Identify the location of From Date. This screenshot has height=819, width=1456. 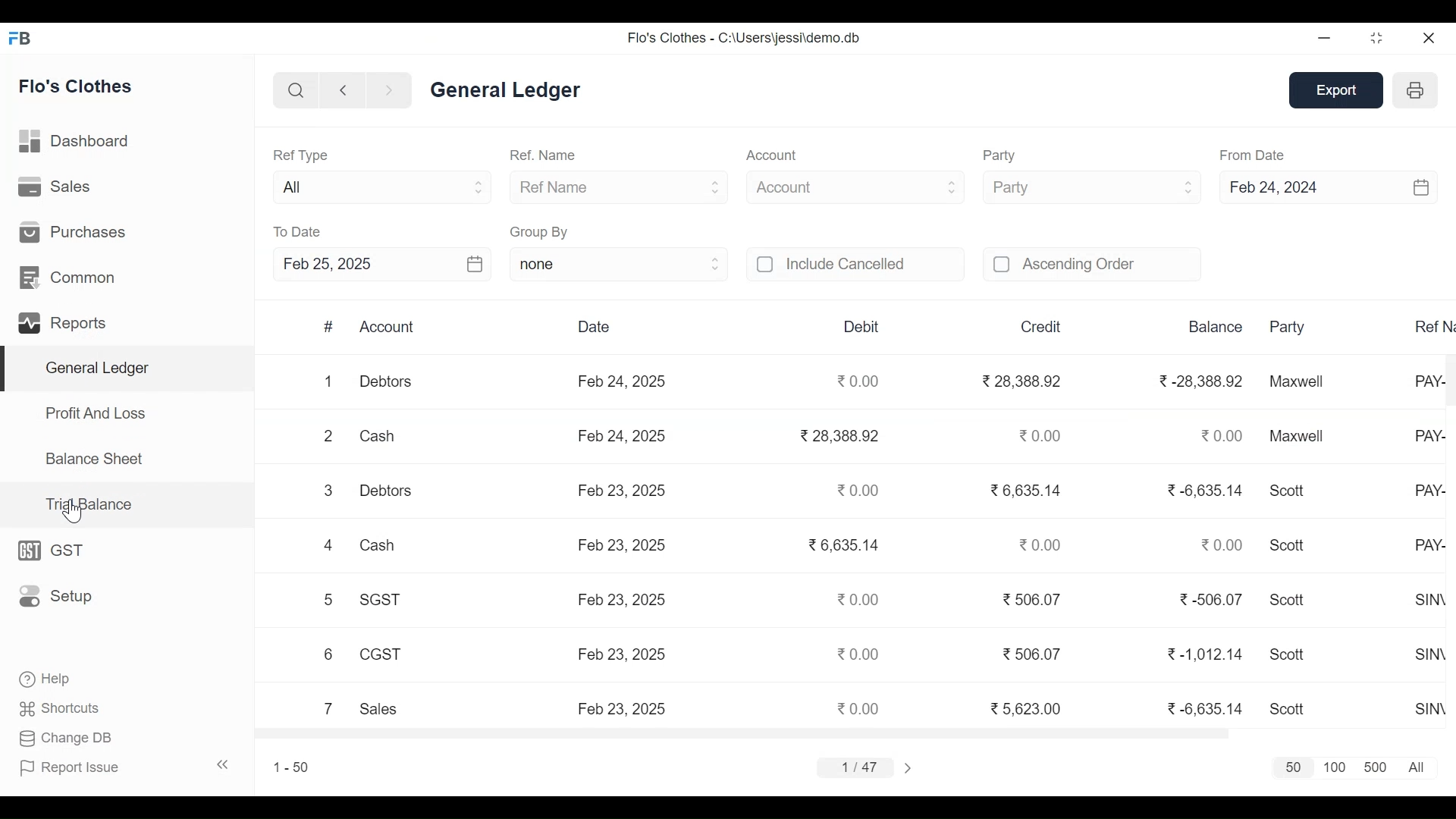
(1254, 155).